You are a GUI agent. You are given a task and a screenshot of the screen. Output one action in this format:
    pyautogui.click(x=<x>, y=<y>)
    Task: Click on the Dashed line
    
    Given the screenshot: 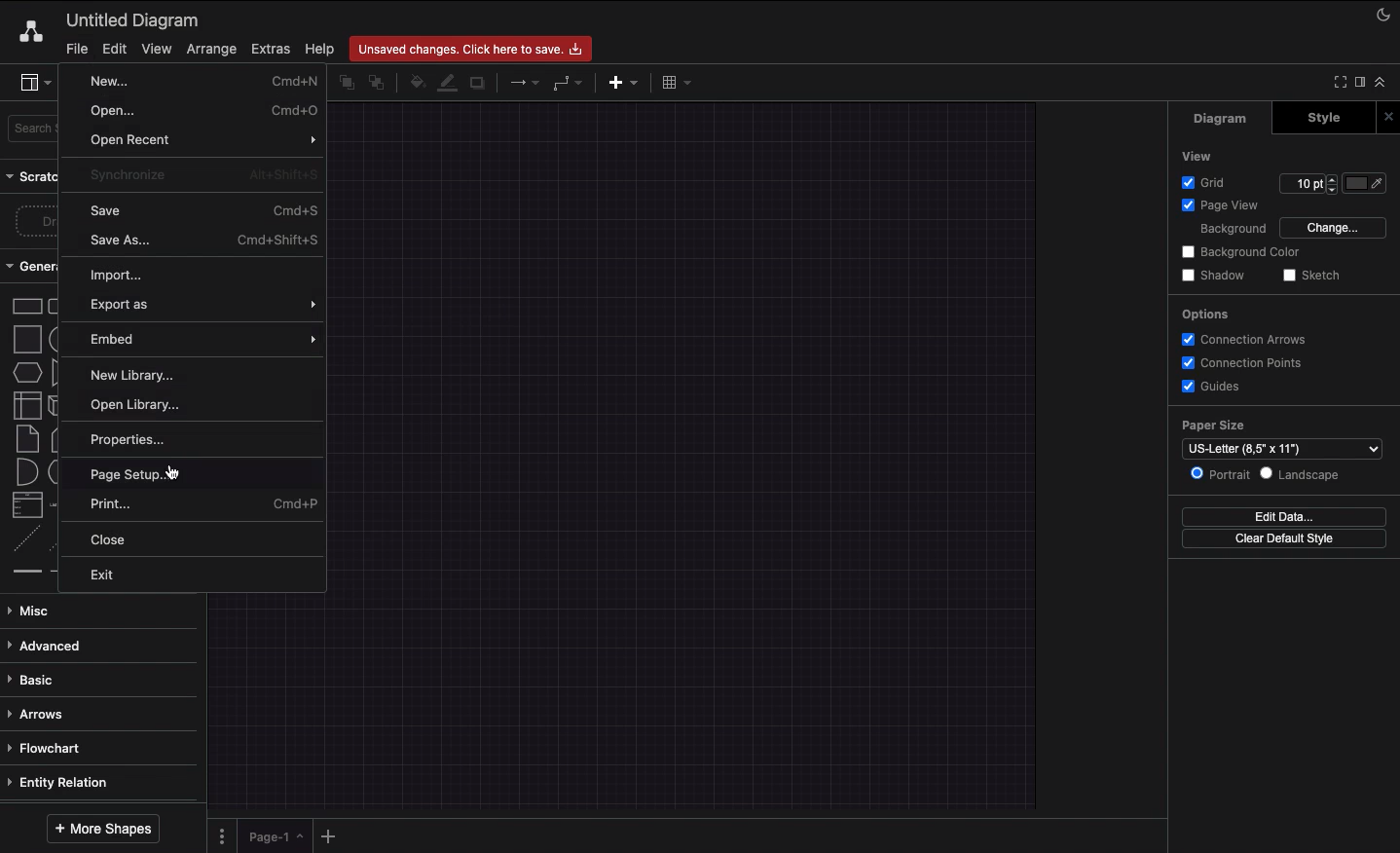 What is the action you would take?
    pyautogui.click(x=23, y=541)
    